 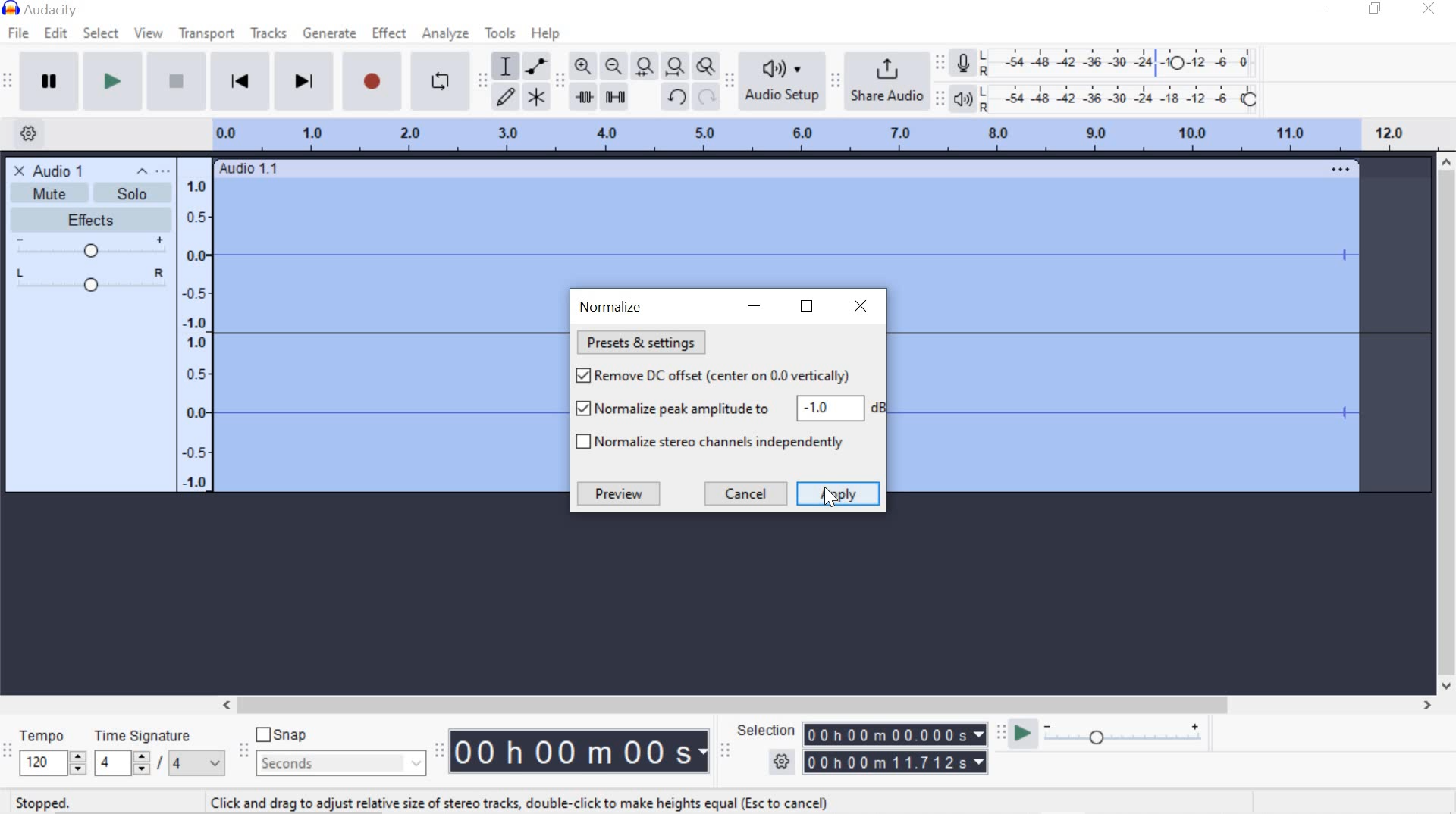 What do you see at coordinates (47, 170) in the screenshot?
I see `Audio 1` at bounding box center [47, 170].